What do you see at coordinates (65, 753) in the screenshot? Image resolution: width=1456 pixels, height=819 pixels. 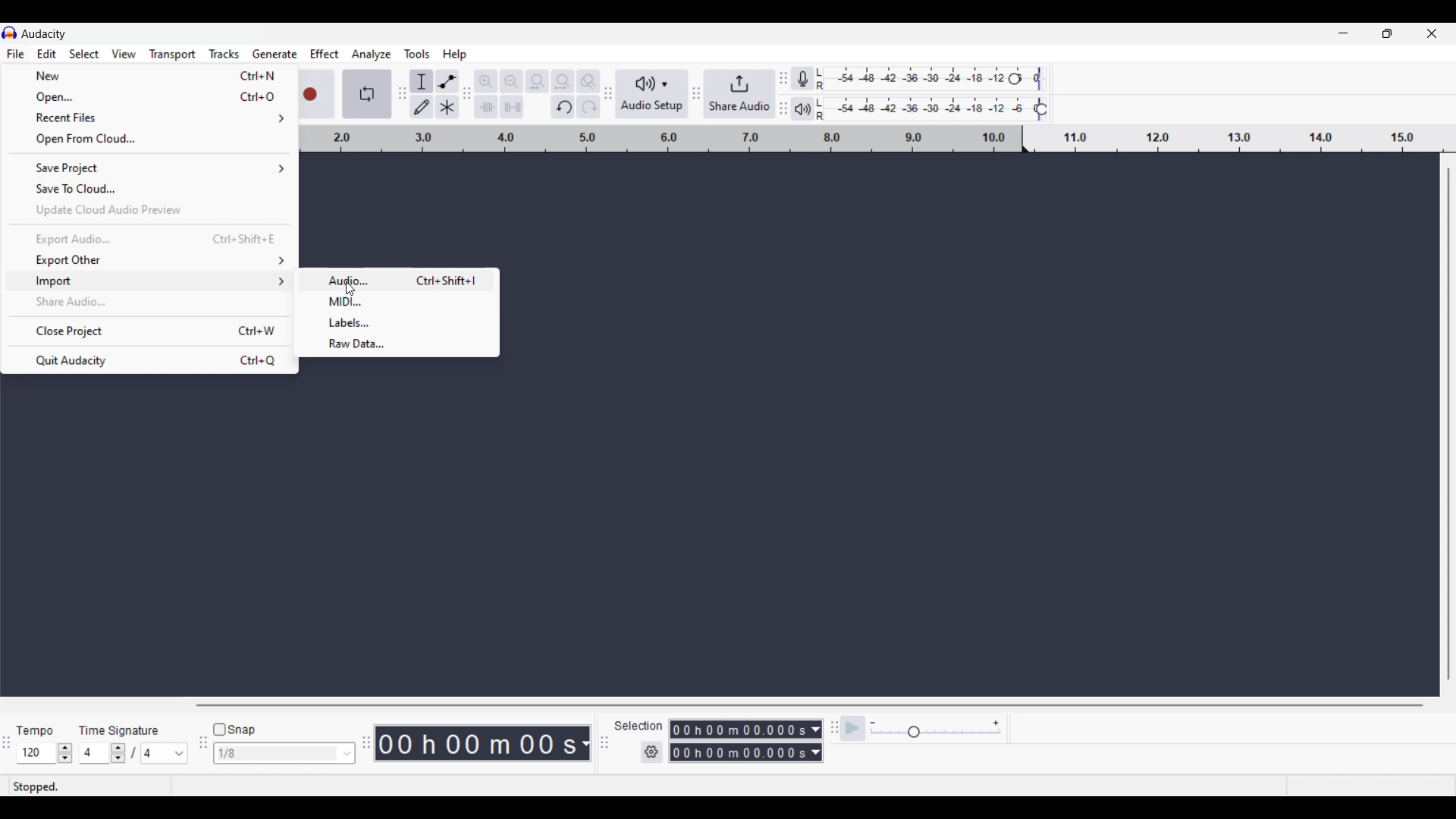 I see `Increase/Decrease tempo` at bounding box center [65, 753].